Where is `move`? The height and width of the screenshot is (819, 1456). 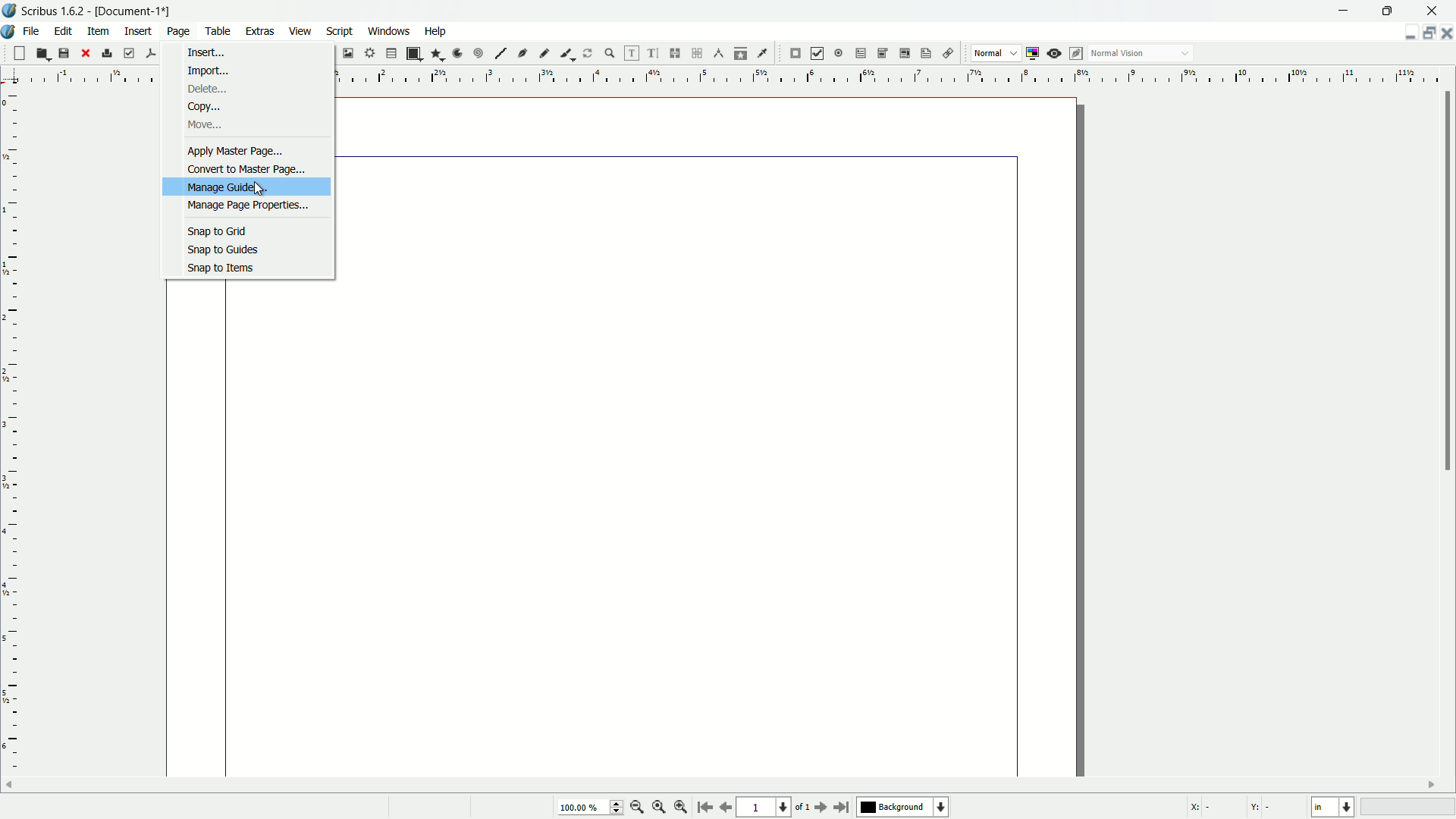 move is located at coordinates (203, 125).